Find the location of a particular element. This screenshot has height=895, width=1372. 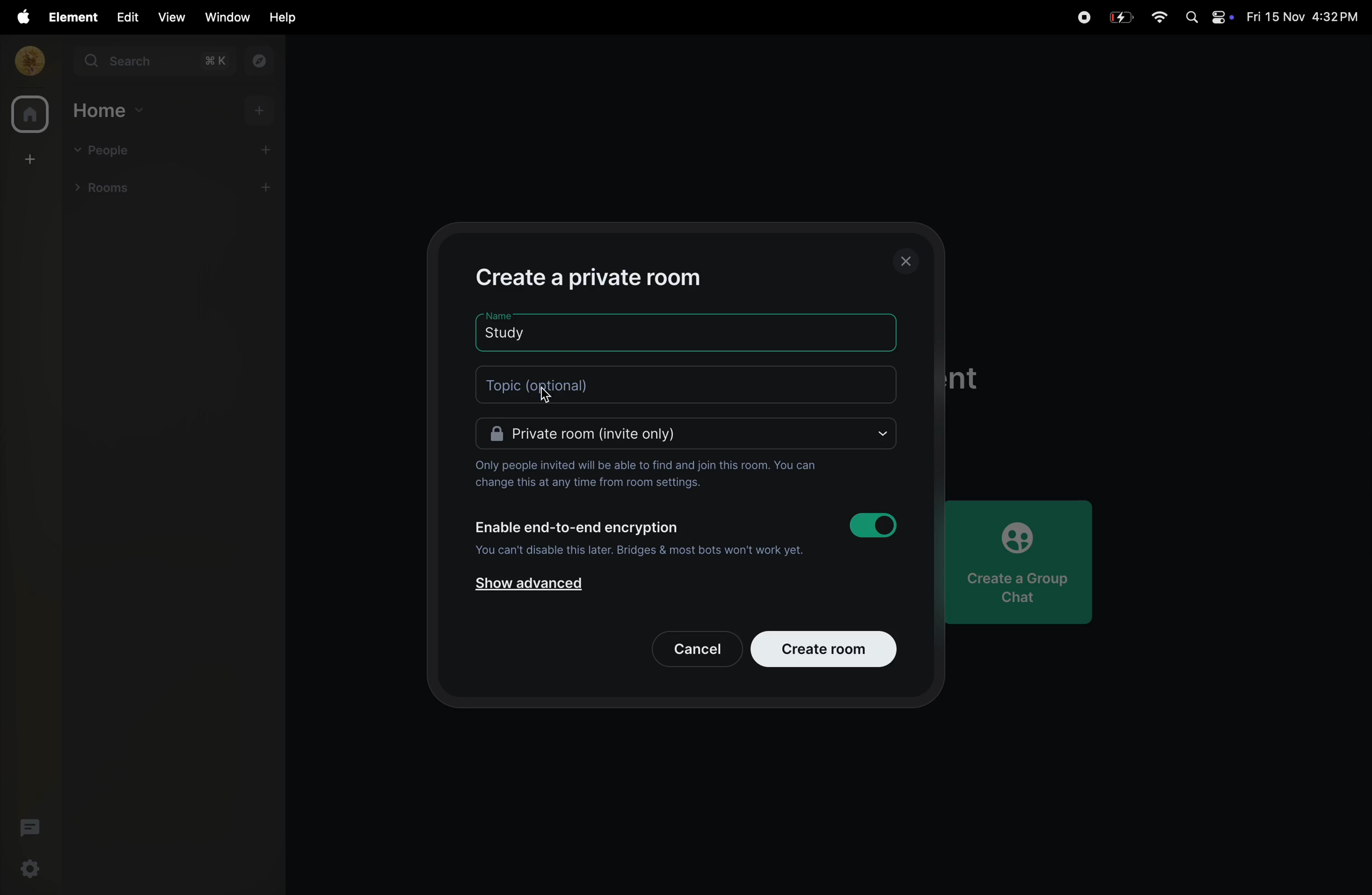

create a group chat is located at coordinates (1027, 558).